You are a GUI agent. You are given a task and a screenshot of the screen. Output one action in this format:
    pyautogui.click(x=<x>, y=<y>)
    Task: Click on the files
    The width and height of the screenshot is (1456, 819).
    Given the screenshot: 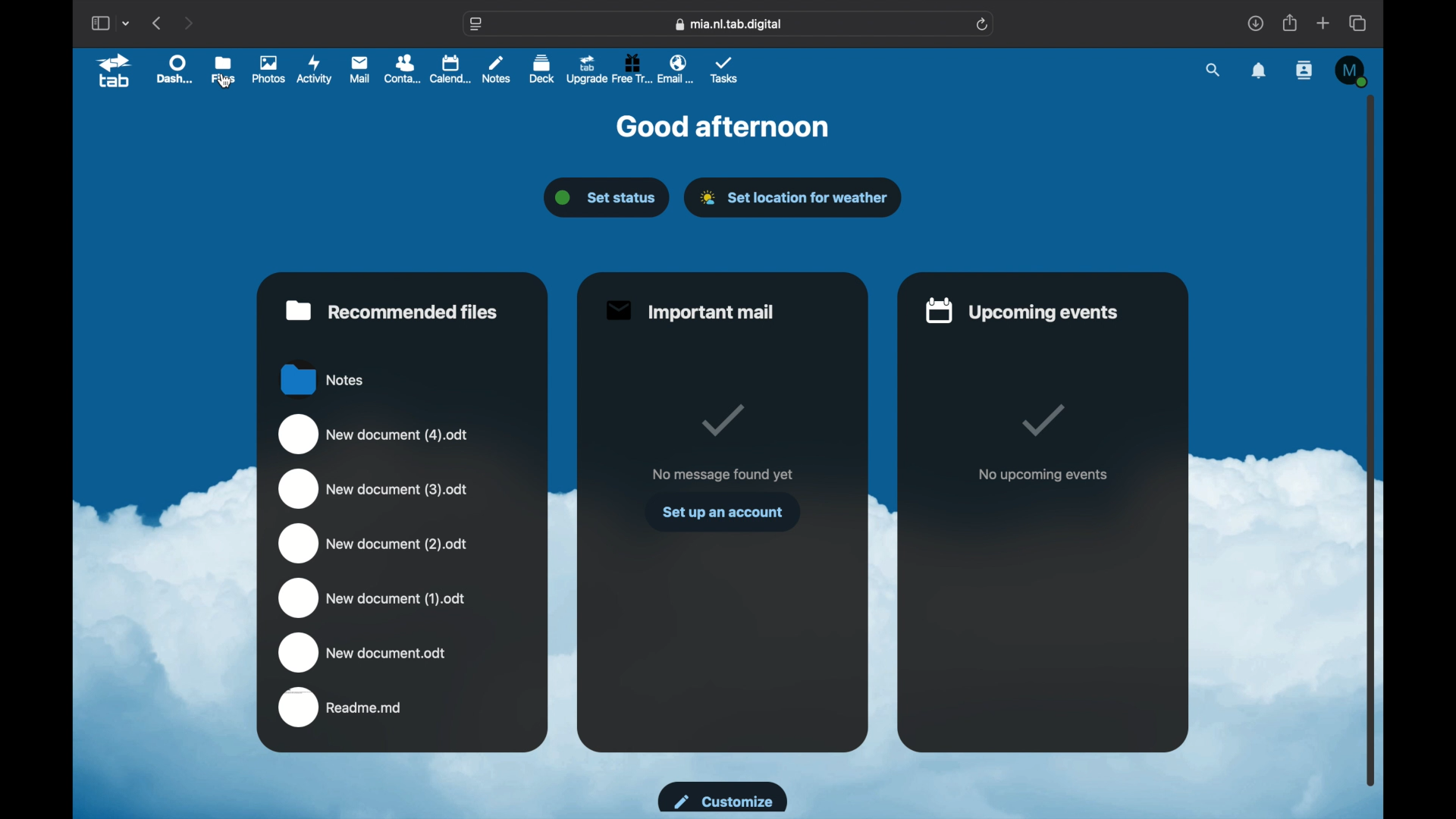 What is the action you would take?
    pyautogui.click(x=223, y=71)
    